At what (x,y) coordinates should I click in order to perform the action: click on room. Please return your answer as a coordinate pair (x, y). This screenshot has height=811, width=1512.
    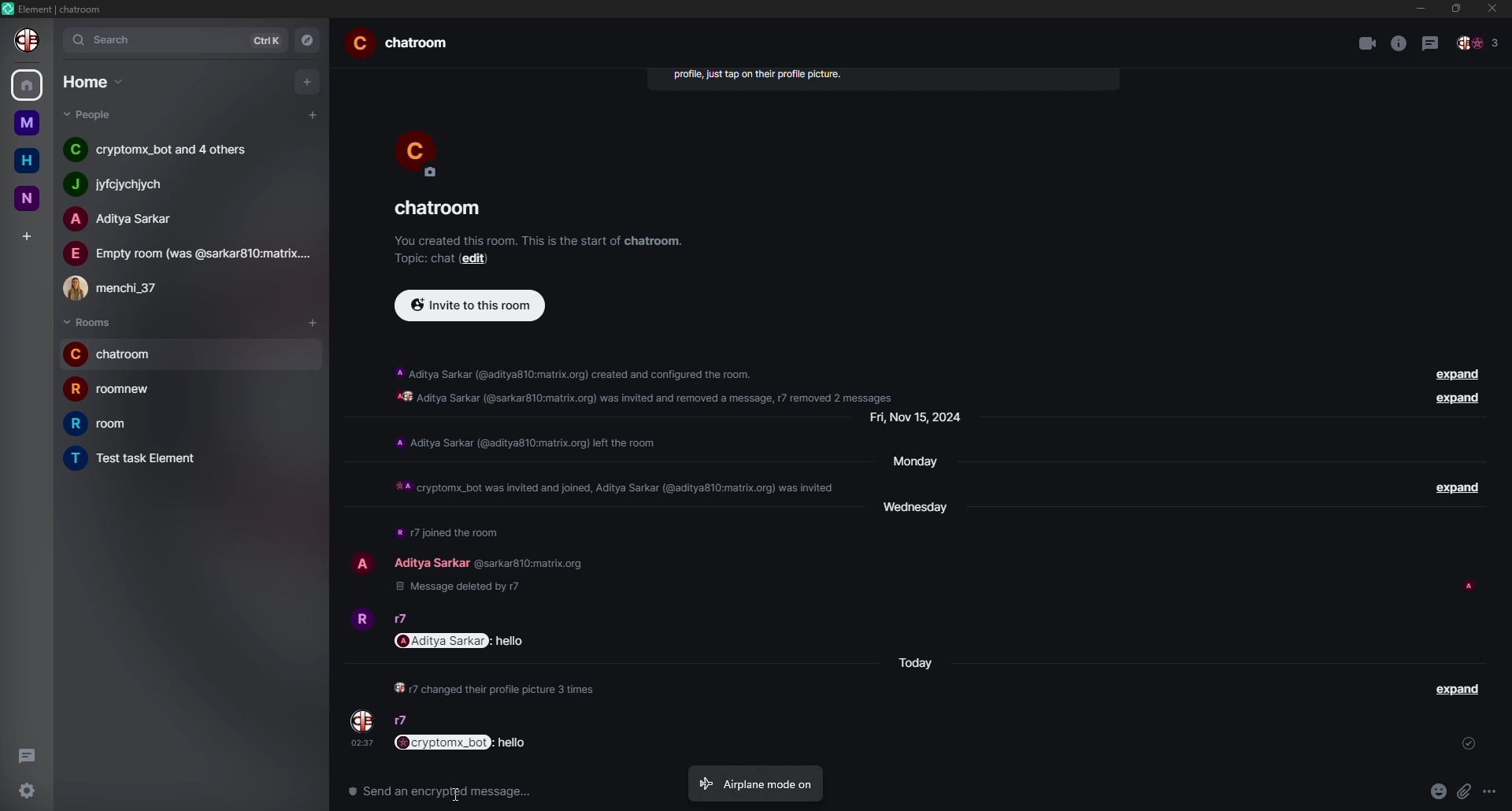
    Looking at the image, I should click on (114, 390).